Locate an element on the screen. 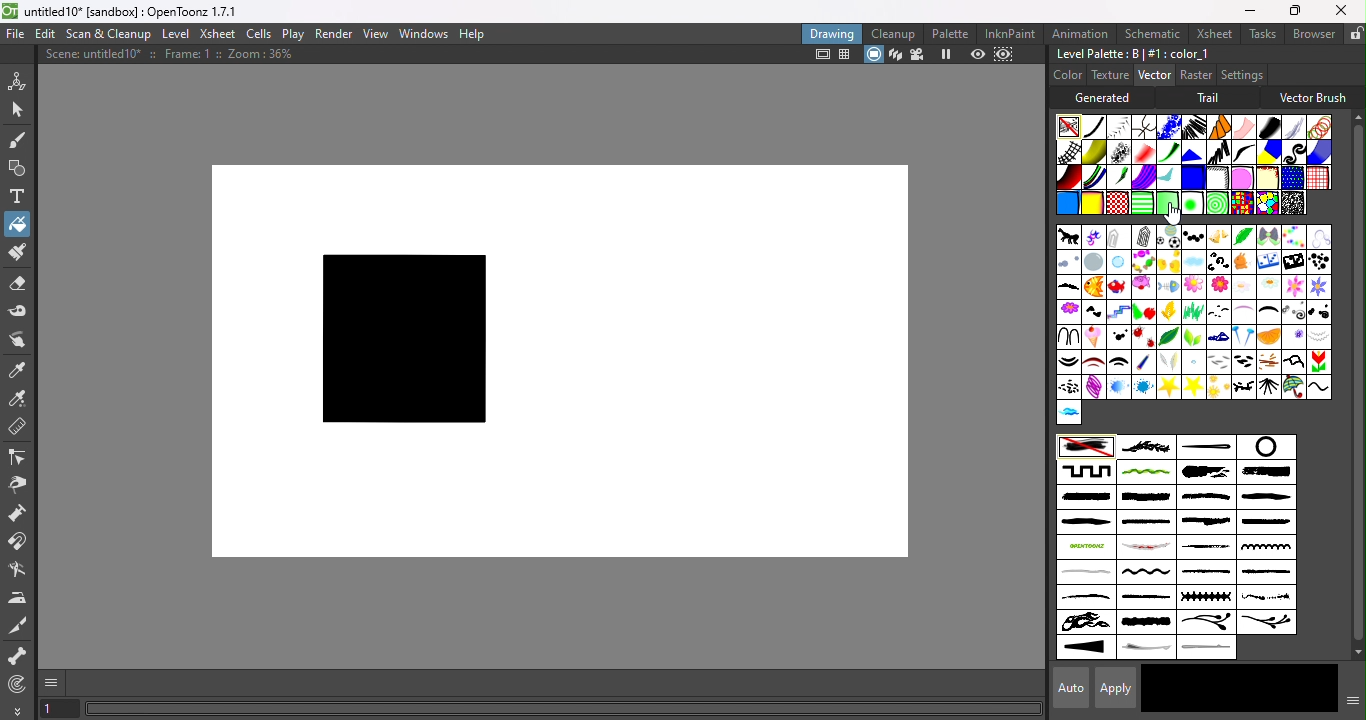 The height and width of the screenshot is (720, 1366). Sub-camera view is located at coordinates (1006, 54).